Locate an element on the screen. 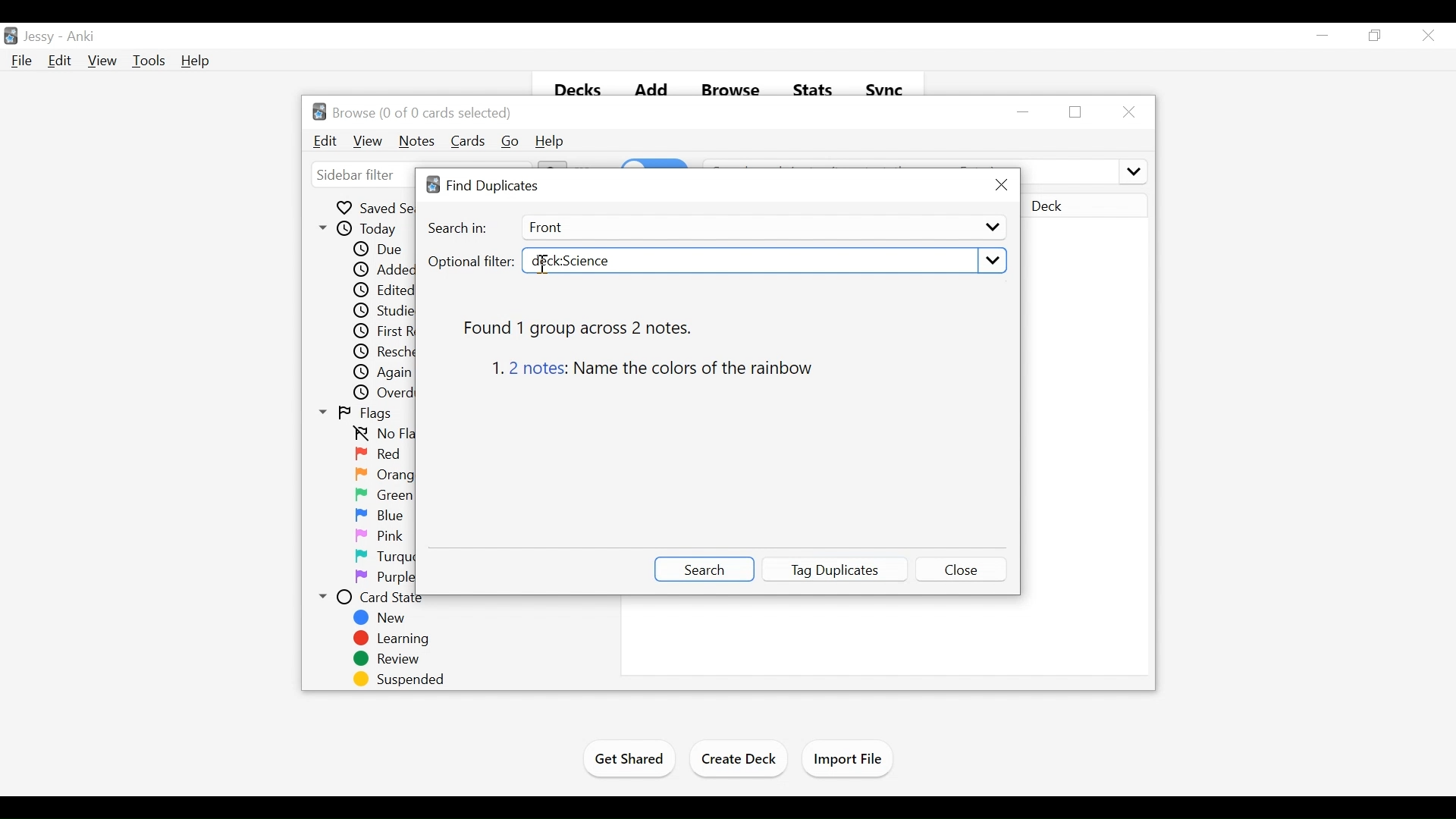 The width and height of the screenshot is (1456, 819). sidebar filter is located at coordinates (357, 176).